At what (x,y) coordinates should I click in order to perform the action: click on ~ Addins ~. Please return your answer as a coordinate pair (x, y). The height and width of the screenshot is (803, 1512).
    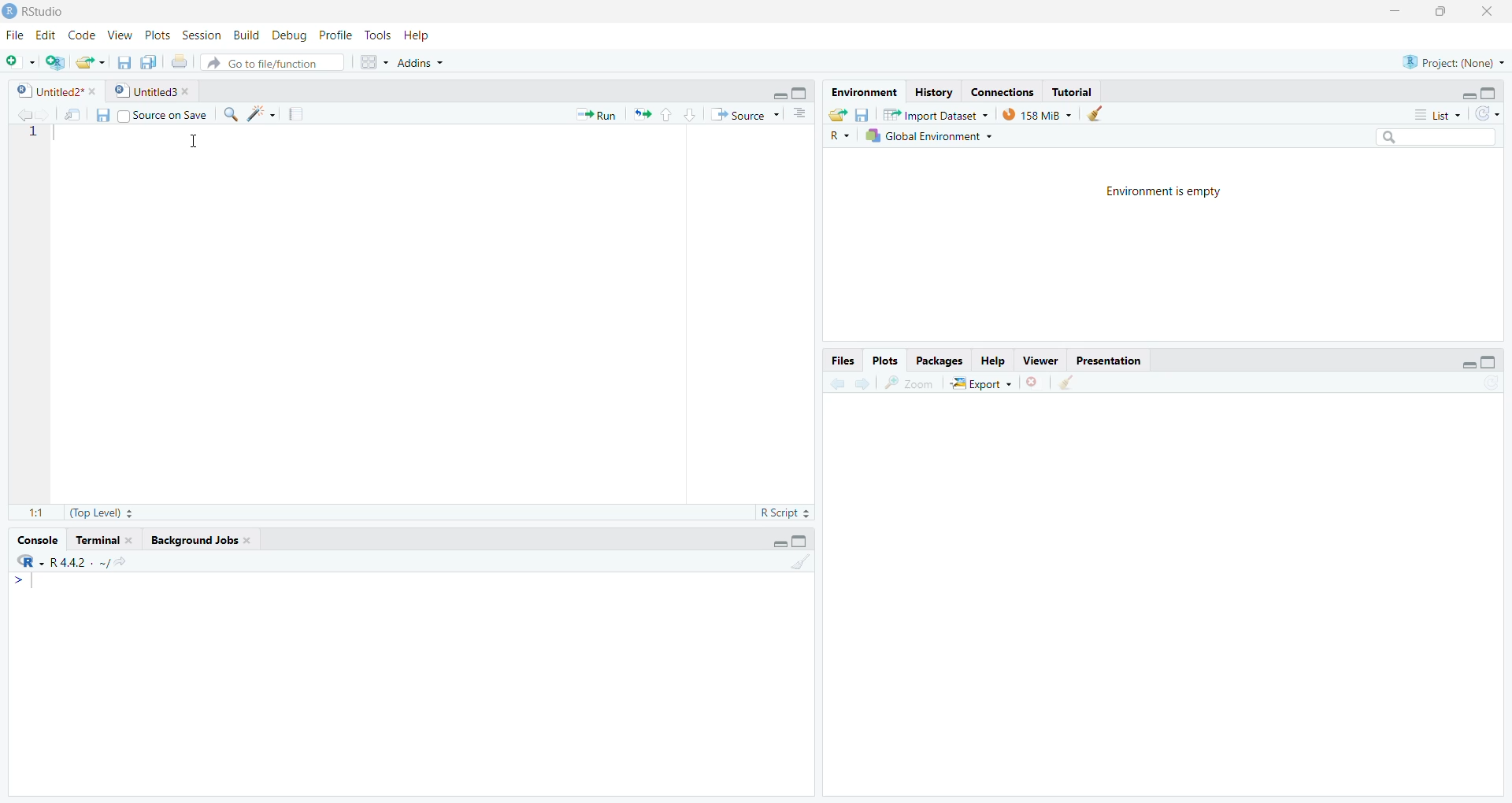
    Looking at the image, I should click on (424, 65).